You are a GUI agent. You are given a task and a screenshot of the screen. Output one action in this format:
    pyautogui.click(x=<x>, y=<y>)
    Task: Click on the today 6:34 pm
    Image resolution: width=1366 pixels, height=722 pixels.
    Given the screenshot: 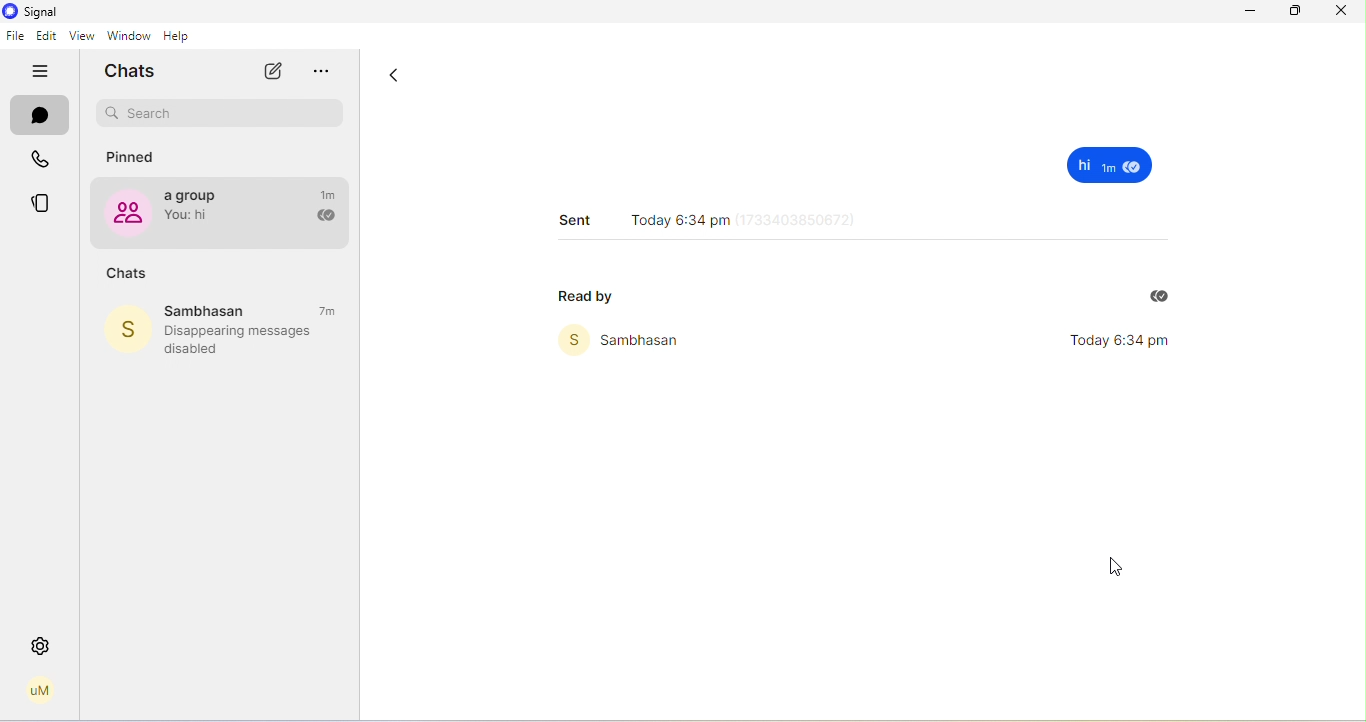 What is the action you would take?
    pyautogui.click(x=1134, y=342)
    